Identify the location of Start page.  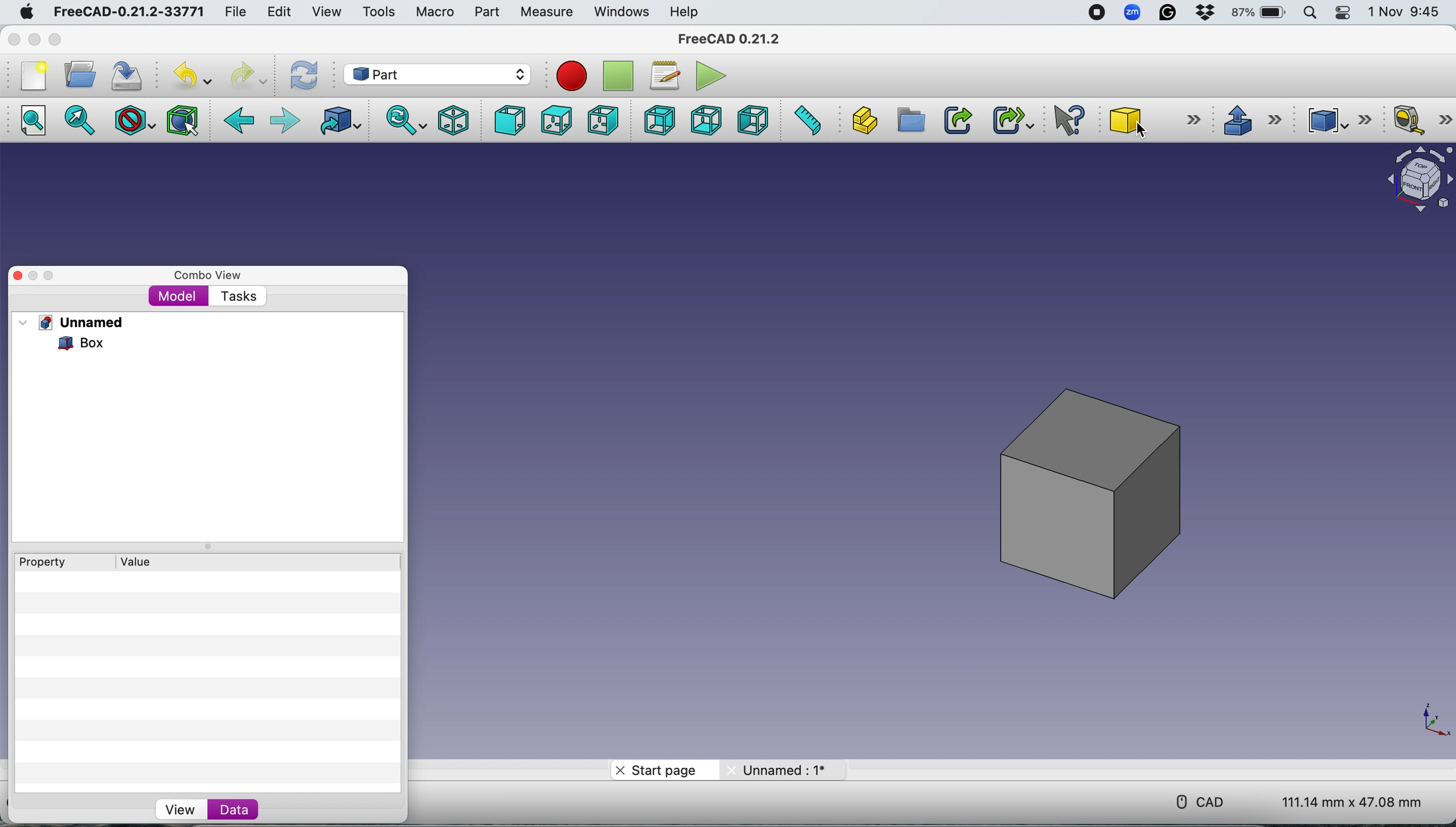
(661, 771).